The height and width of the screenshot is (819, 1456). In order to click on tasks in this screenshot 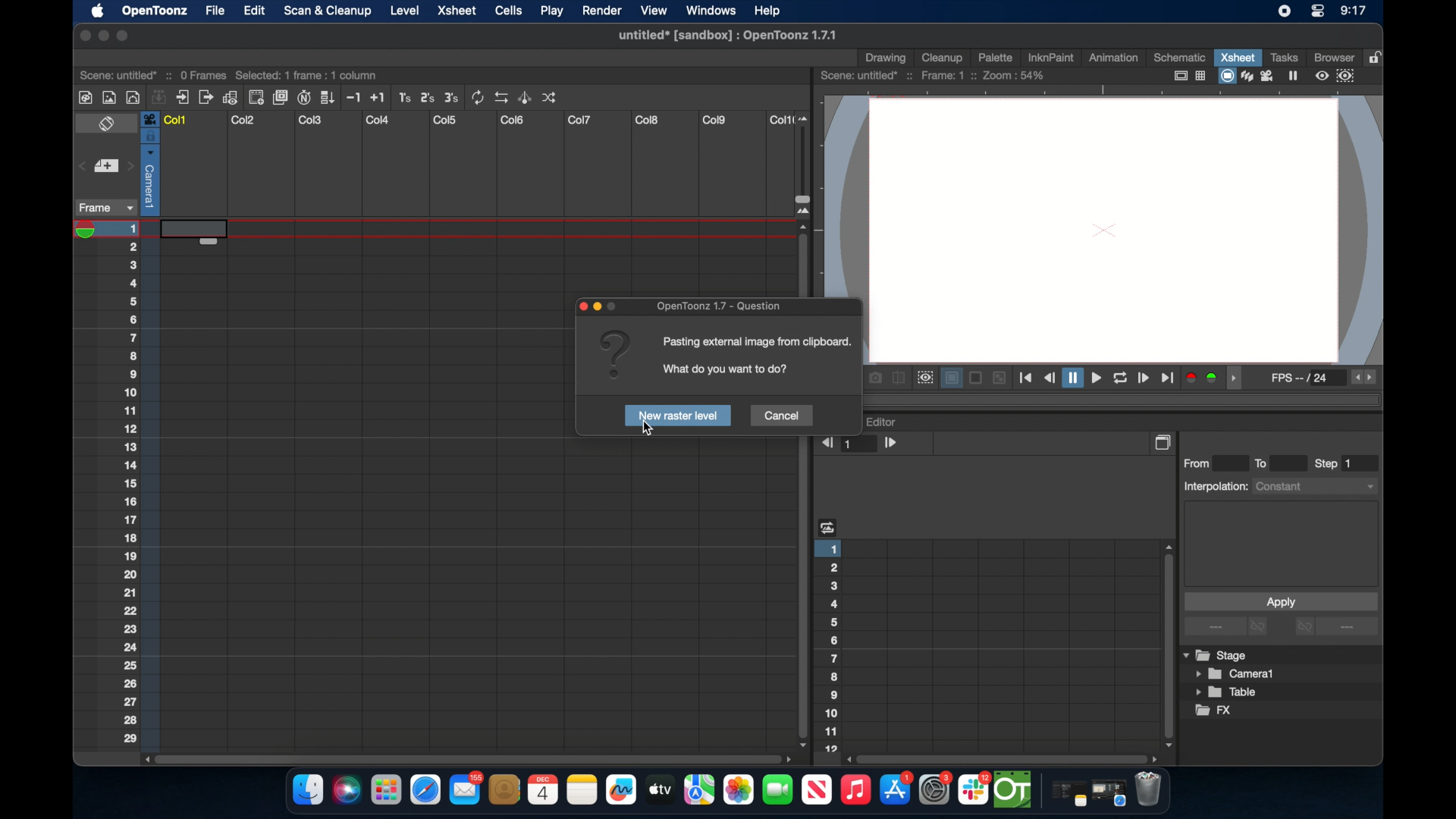, I will do `click(1283, 57)`.